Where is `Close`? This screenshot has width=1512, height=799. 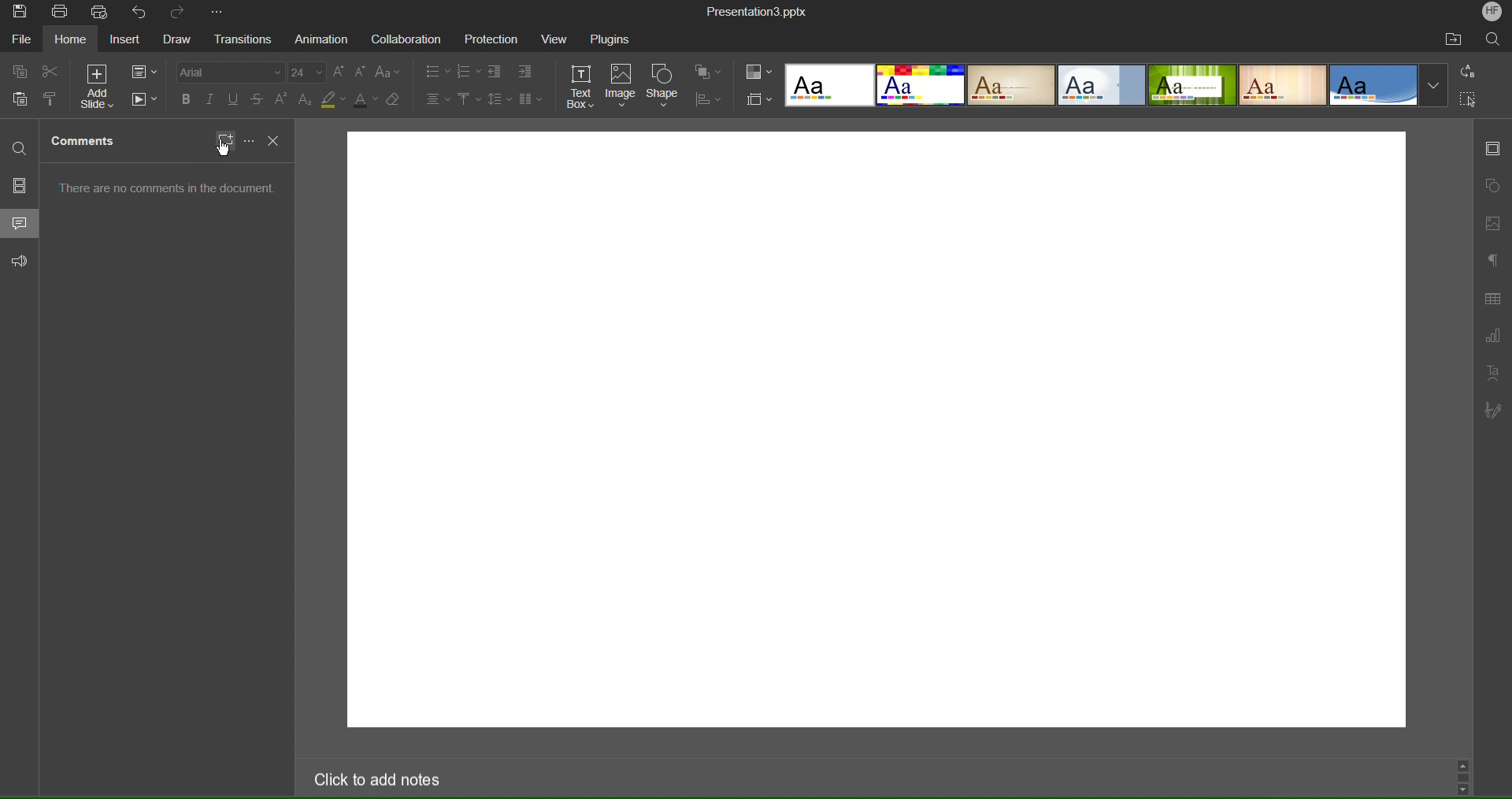 Close is located at coordinates (276, 141).